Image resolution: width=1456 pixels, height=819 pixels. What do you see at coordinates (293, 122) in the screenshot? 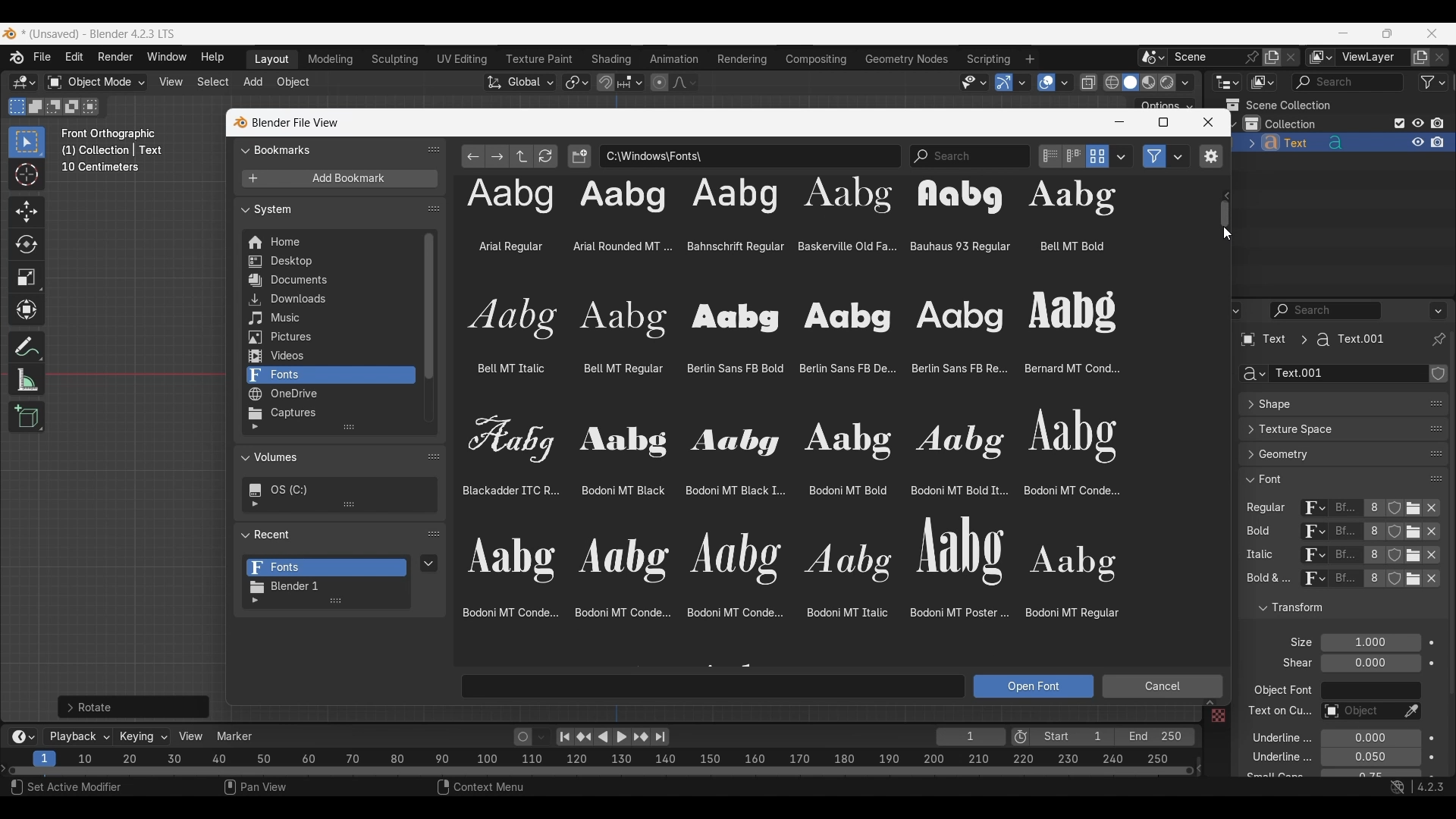
I see `blender file view` at bounding box center [293, 122].